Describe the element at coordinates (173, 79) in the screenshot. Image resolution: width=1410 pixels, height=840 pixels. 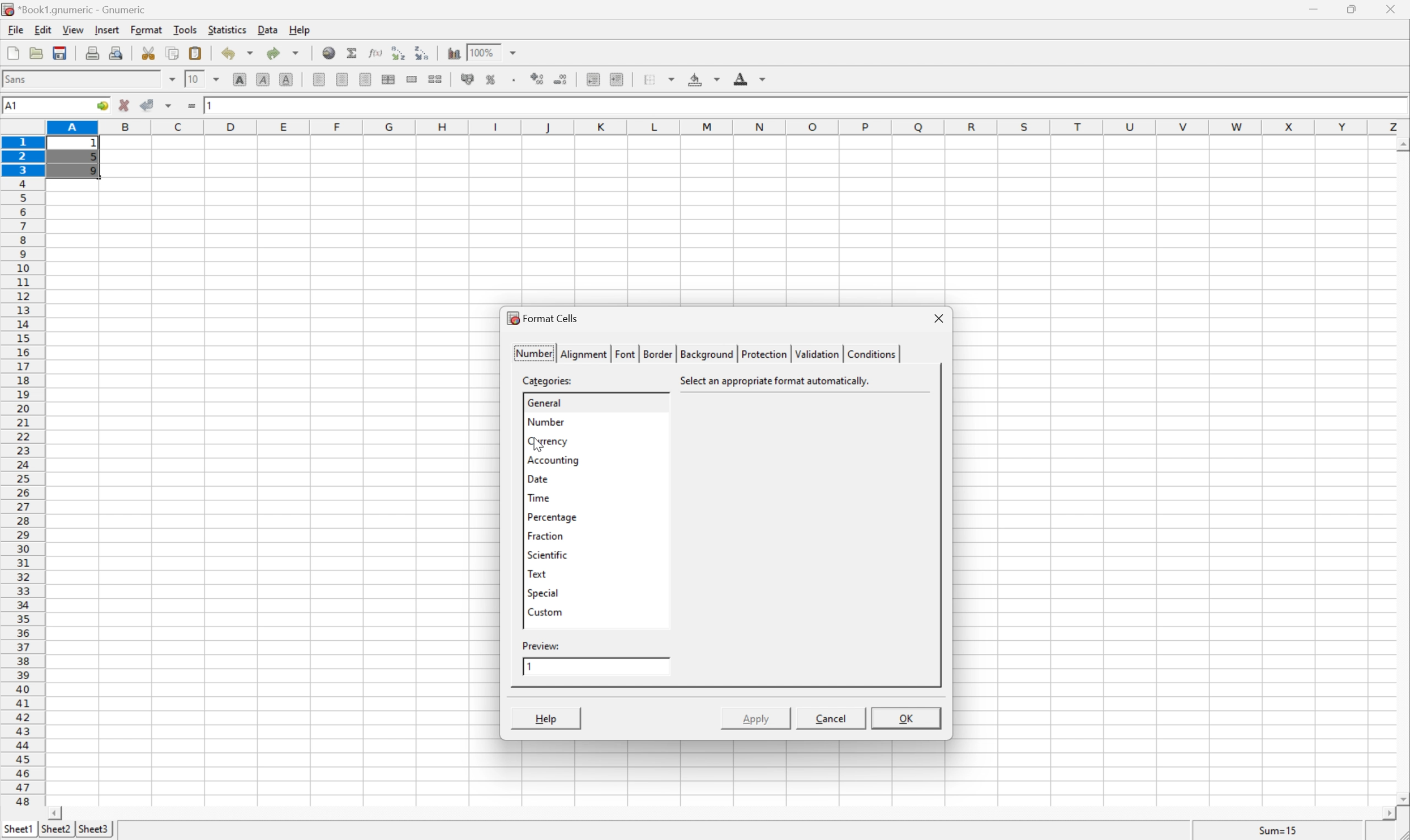
I see `drop down` at that location.